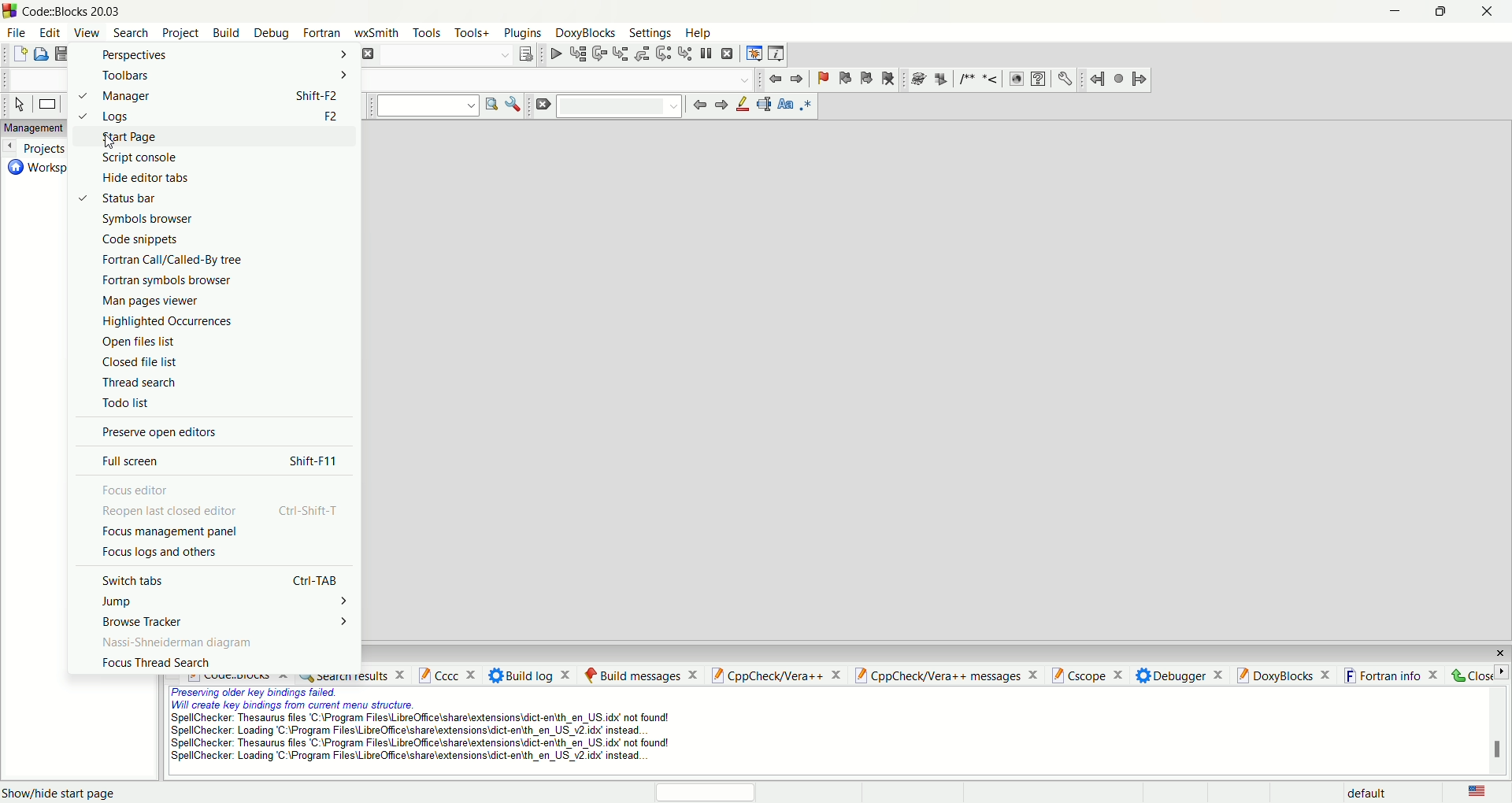 The width and height of the screenshot is (1512, 803). I want to click on thread search, so click(140, 383).